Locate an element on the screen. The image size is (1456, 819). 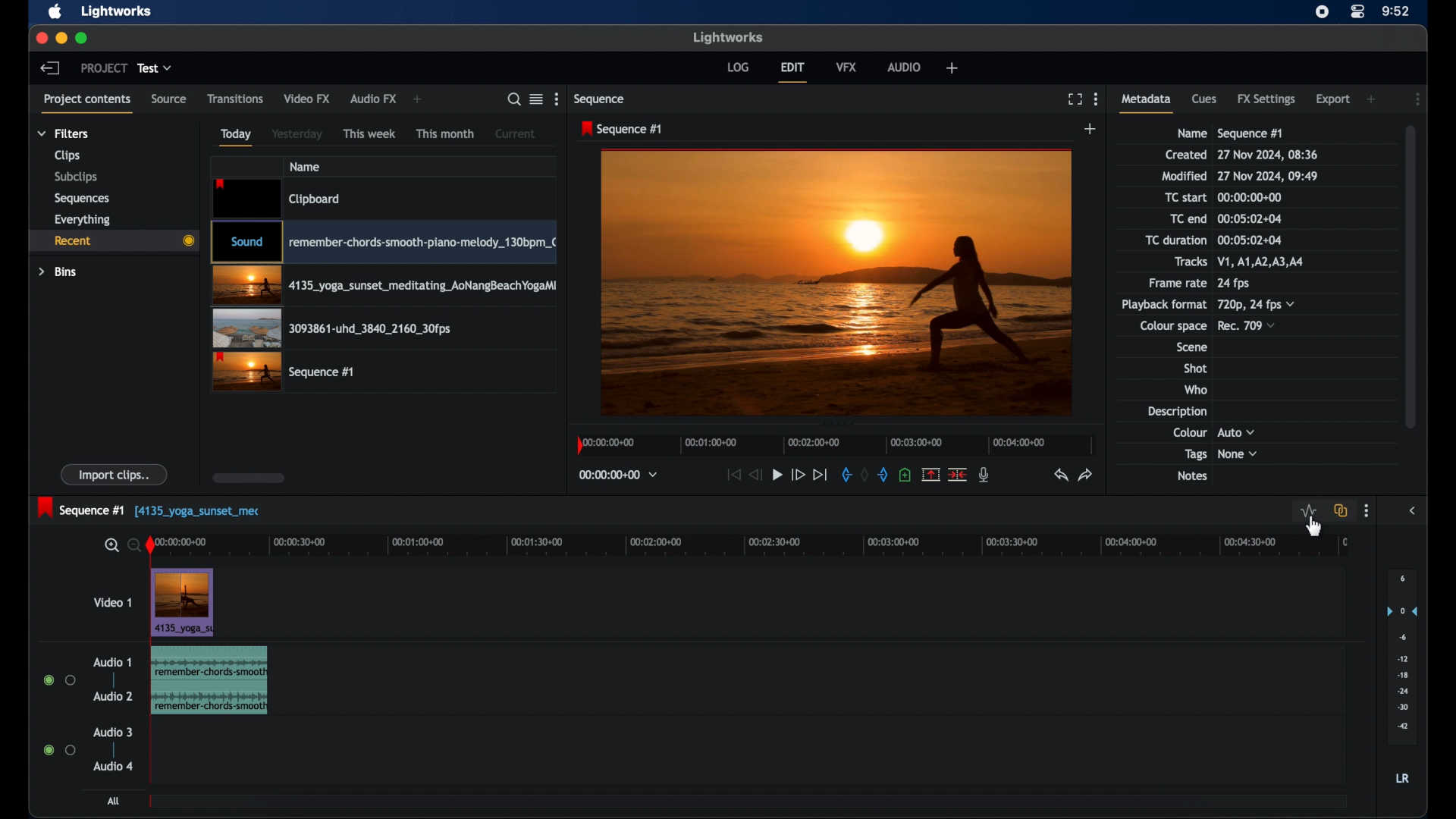
scroll box is located at coordinates (249, 478).